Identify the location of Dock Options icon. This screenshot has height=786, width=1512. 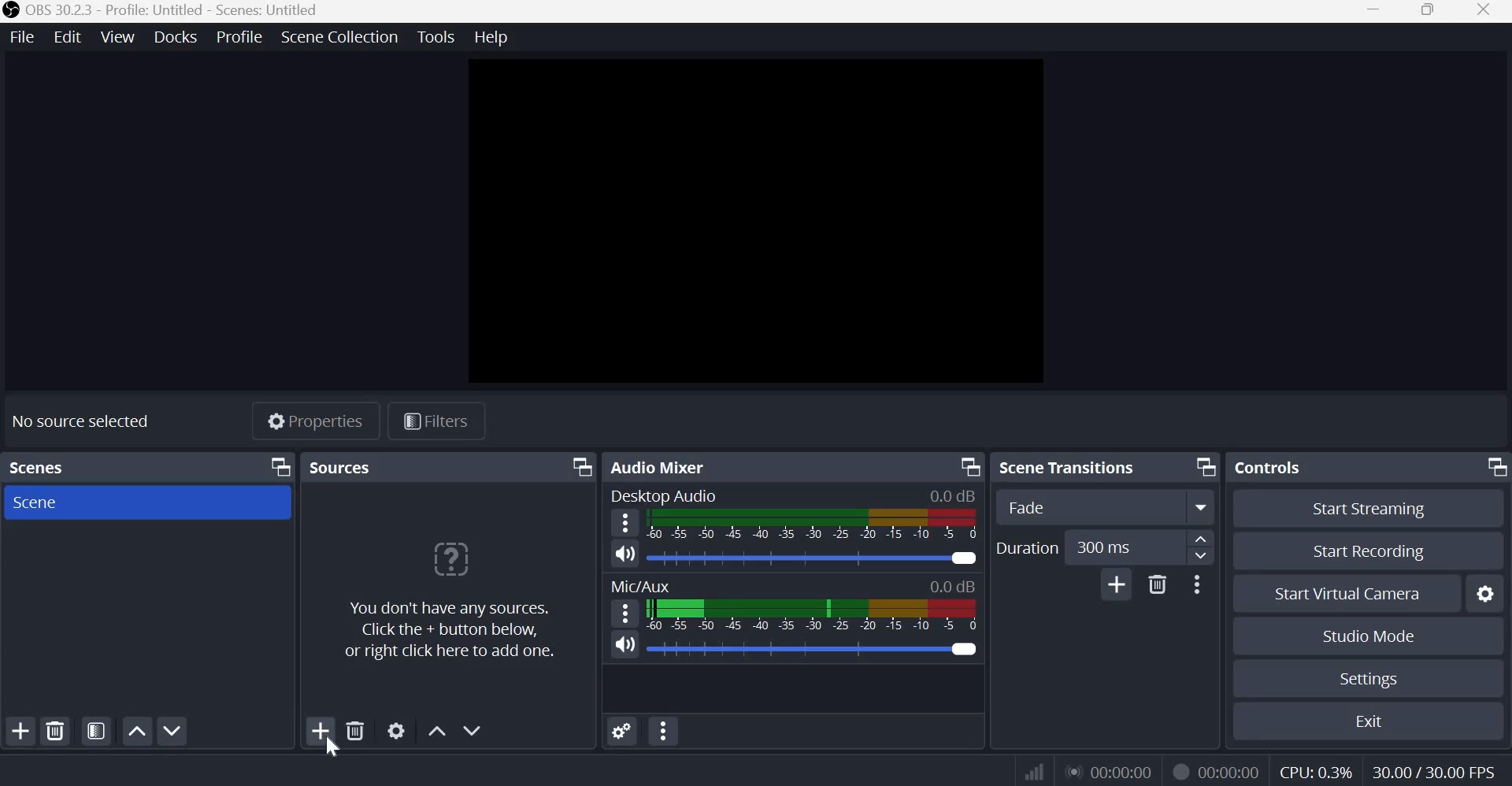
(580, 467).